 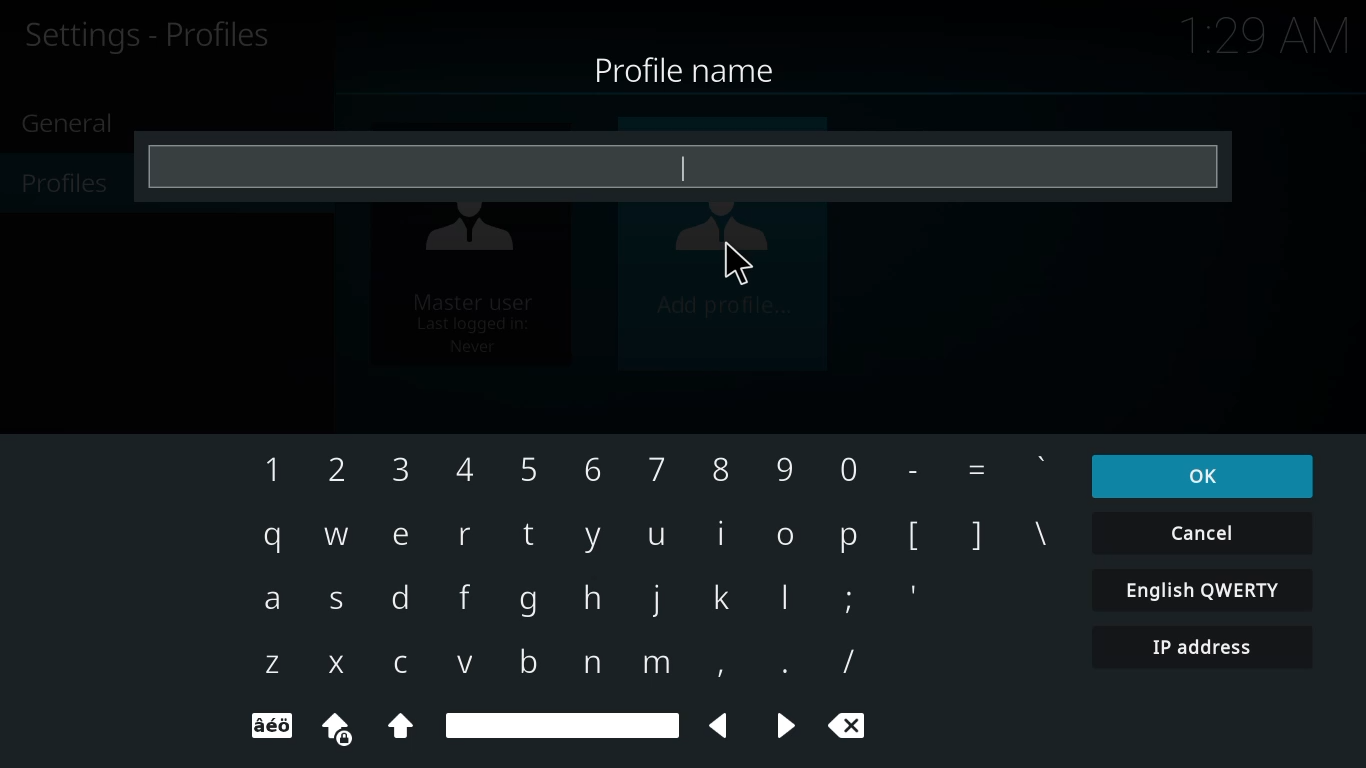 I want to click on v, so click(x=459, y=660).